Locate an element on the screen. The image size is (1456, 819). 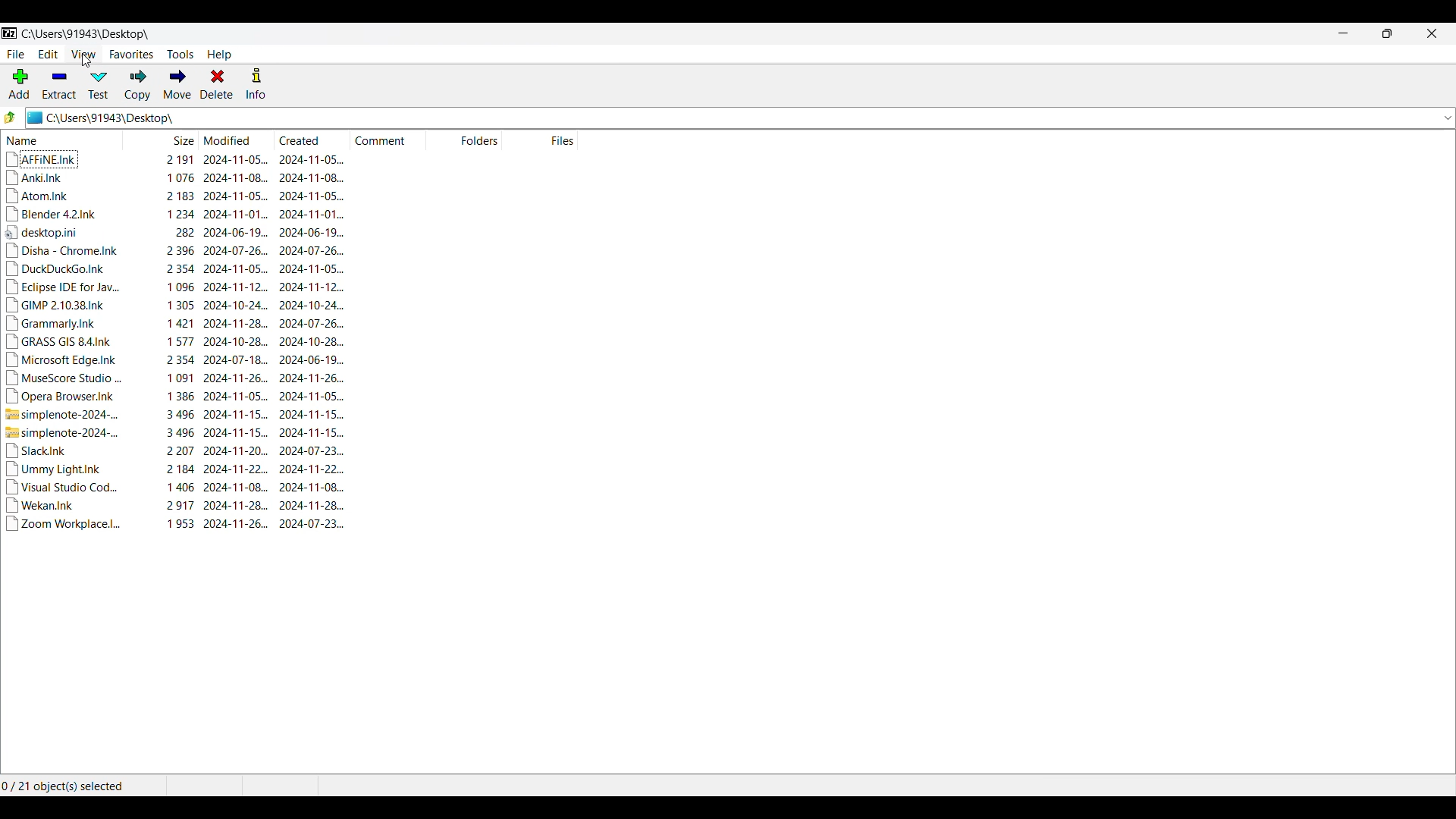
Test is located at coordinates (99, 85).